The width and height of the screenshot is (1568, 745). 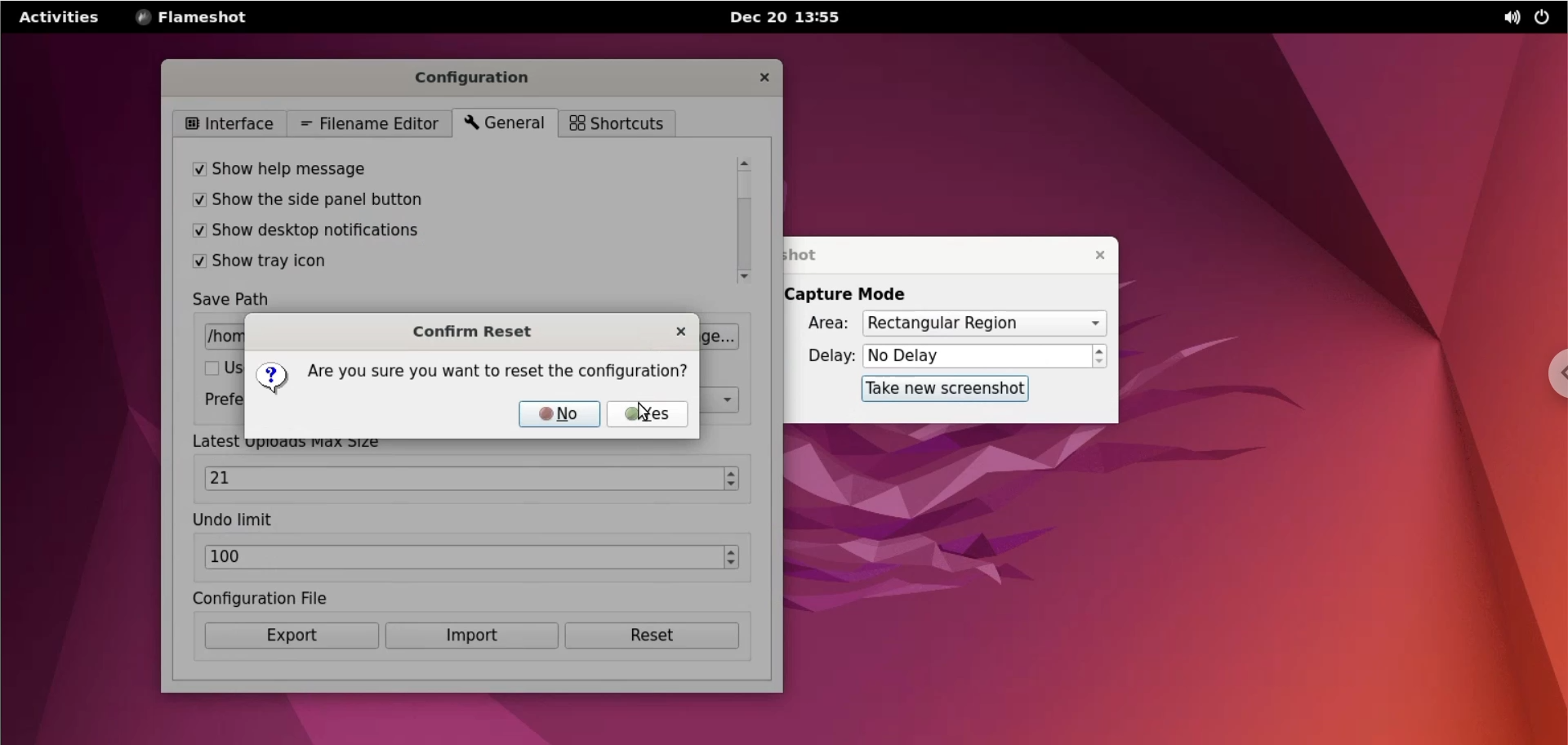 I want to click on are you sure you want to reset the configuration?, so click(x=497, y=374).